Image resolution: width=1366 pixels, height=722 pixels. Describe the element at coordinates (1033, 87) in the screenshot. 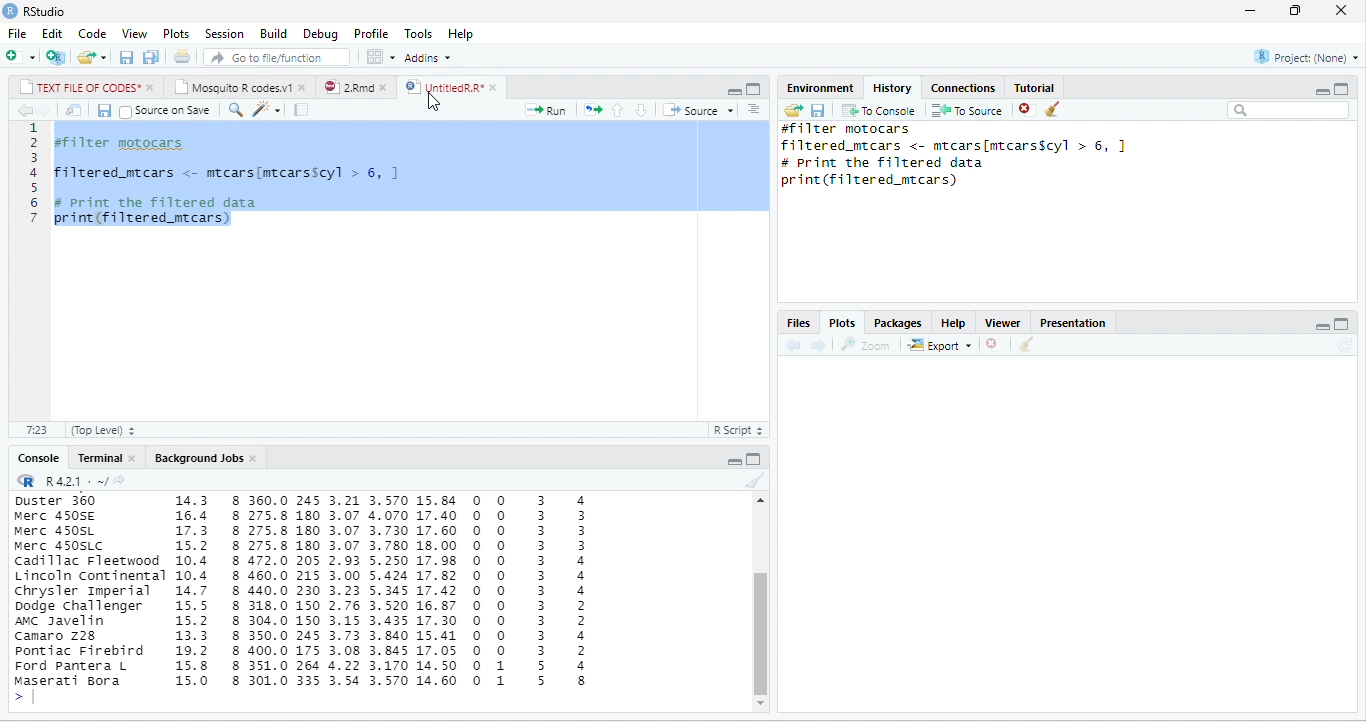

I see `Tutorial` at that location.